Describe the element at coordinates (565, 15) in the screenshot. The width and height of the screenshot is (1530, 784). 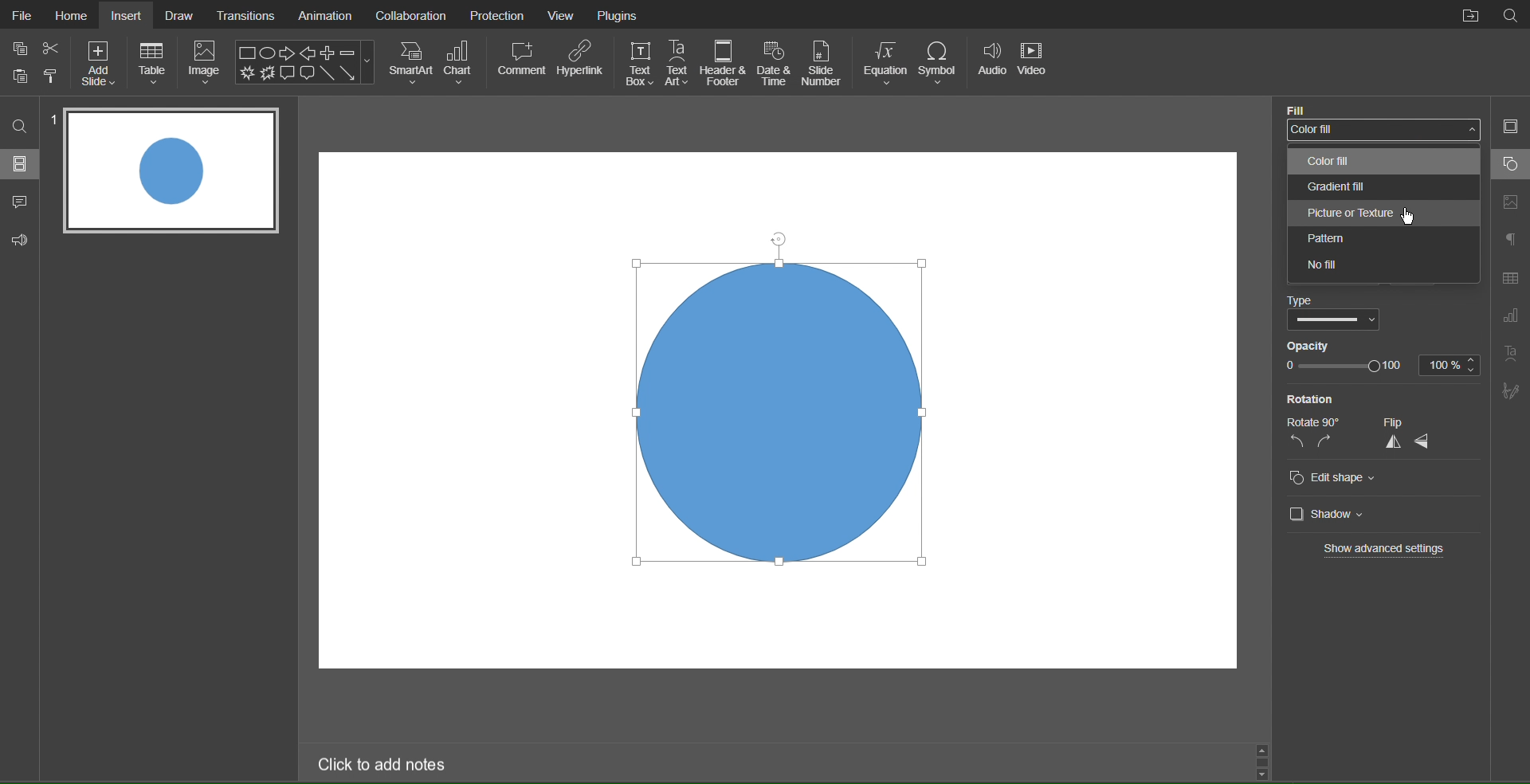
I see `View` at that location.